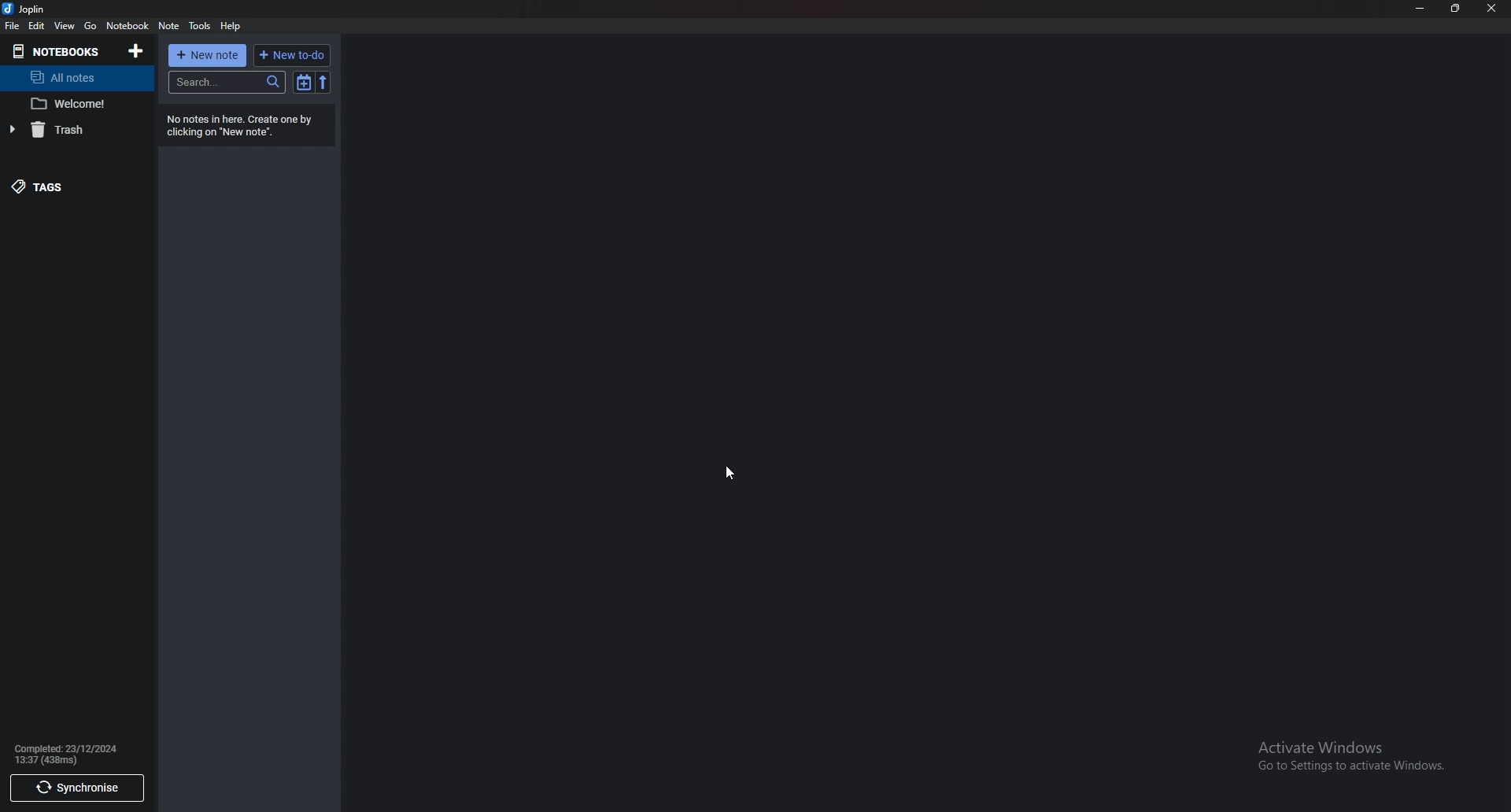  I want to click on Cursor, so click(730, 474).